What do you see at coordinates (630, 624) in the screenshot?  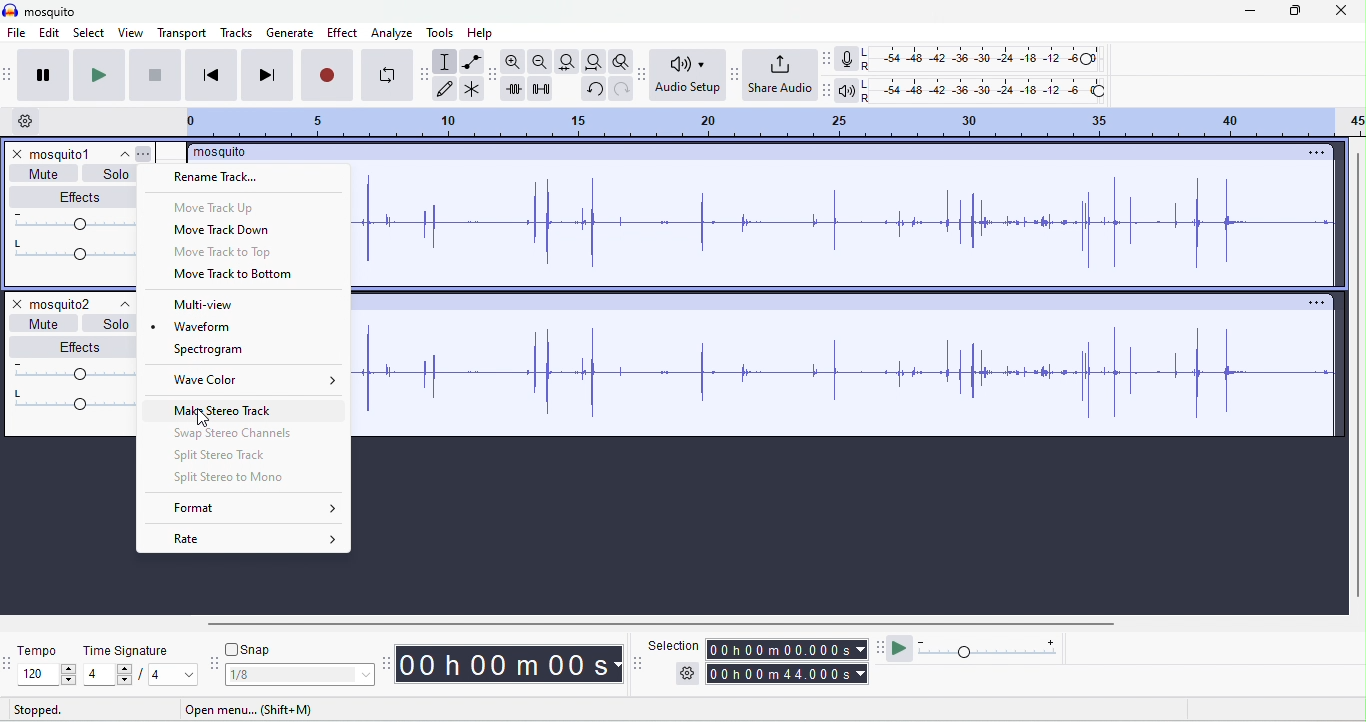 I see `horizontal scroll bar` at bounding box center [630, 624].